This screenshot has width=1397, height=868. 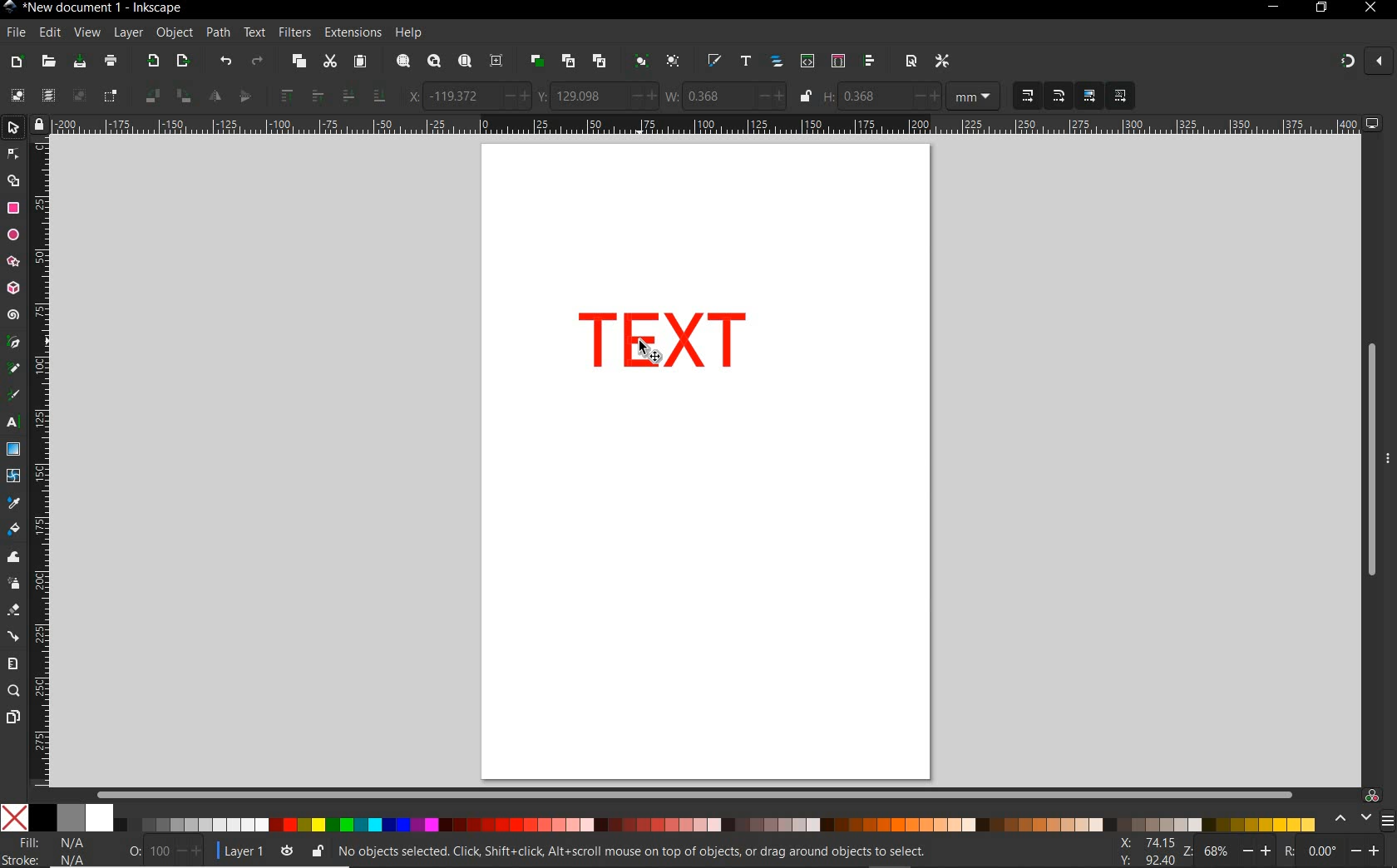 What do you see at coordinates (16, 397) in the screenshot?
I see `CALLIGRAPHY TOOL` at bounding box center [16, 397].